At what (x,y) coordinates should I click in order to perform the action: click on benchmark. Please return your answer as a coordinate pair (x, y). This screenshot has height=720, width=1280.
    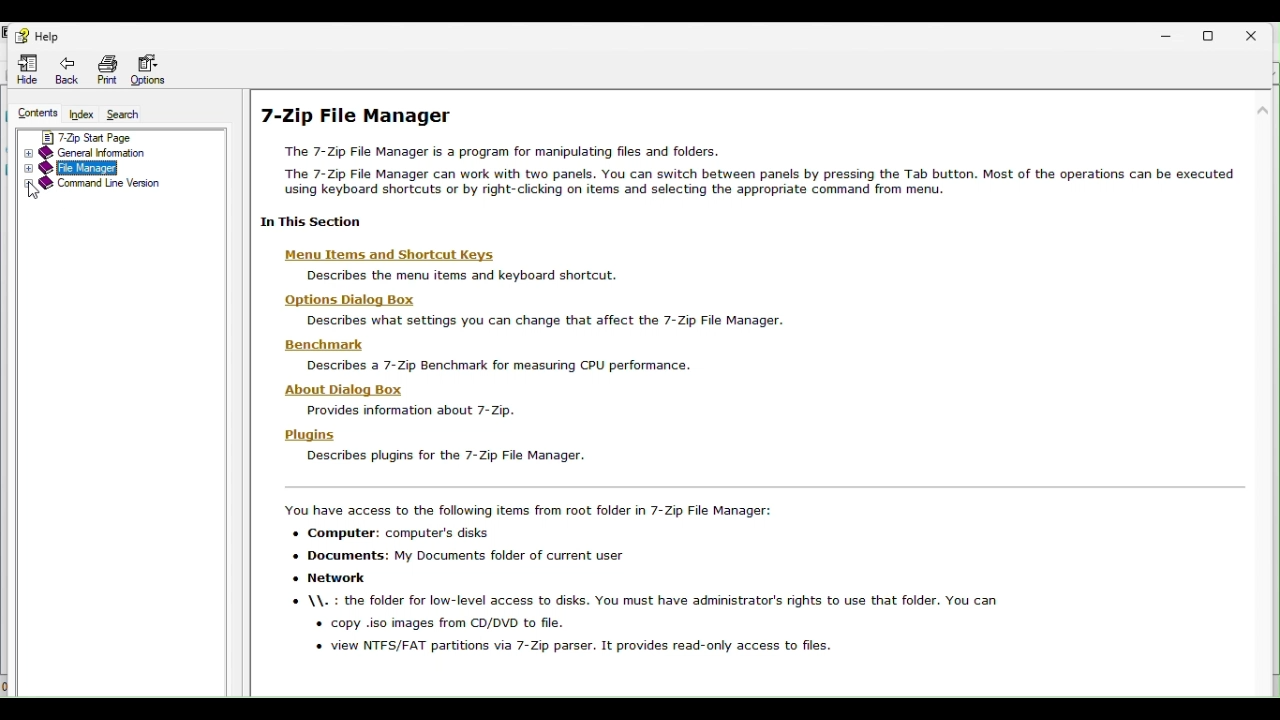
    Looking at the image, I should click on (329, 346).